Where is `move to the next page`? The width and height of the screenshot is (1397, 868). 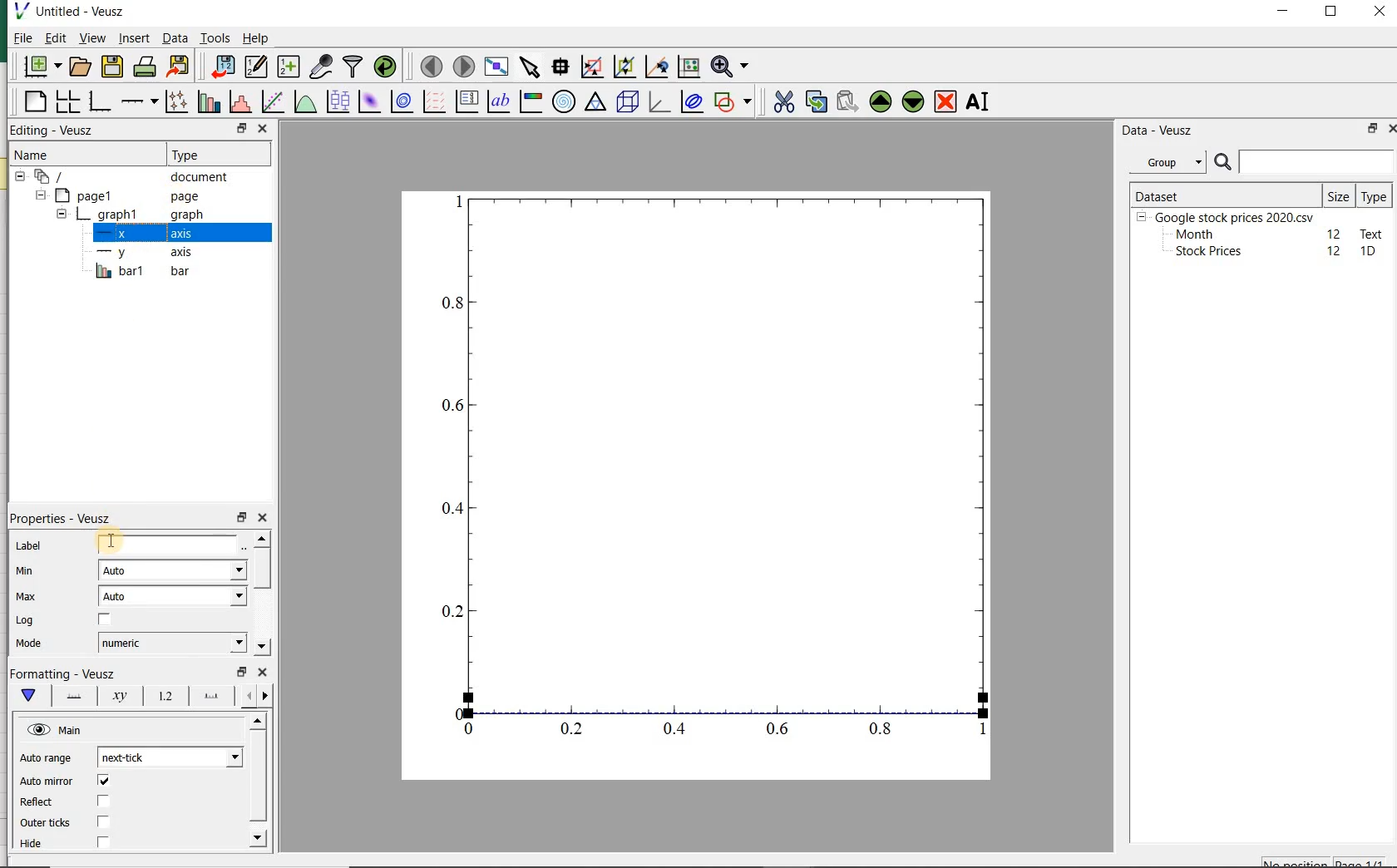
move to the next page is located at coordinates (464, 67).